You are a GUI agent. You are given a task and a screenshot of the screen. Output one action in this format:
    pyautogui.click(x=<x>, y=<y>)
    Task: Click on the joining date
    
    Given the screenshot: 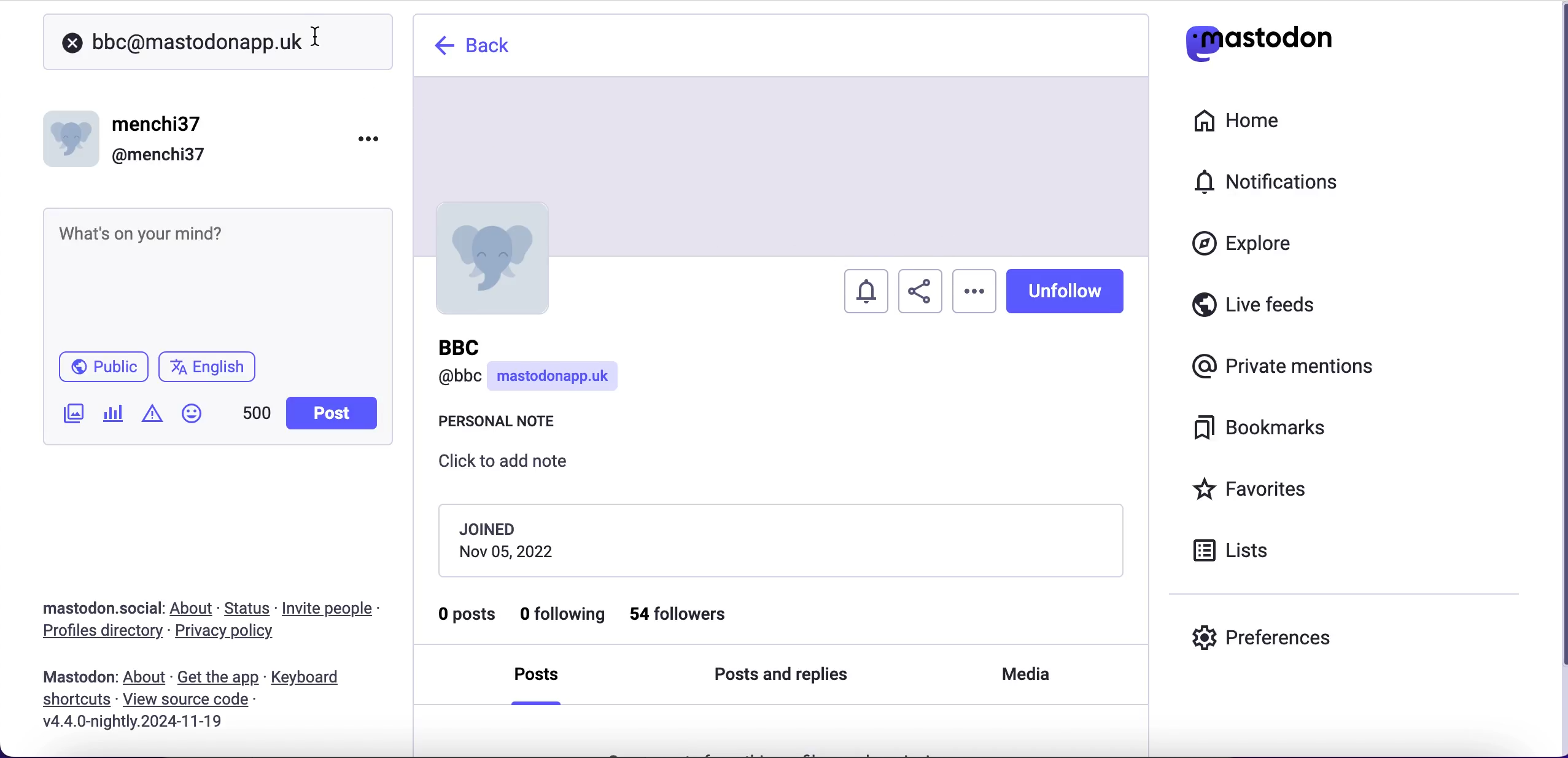 What is the action you would take?
    pyautogui.click(x=780, y=539)
    